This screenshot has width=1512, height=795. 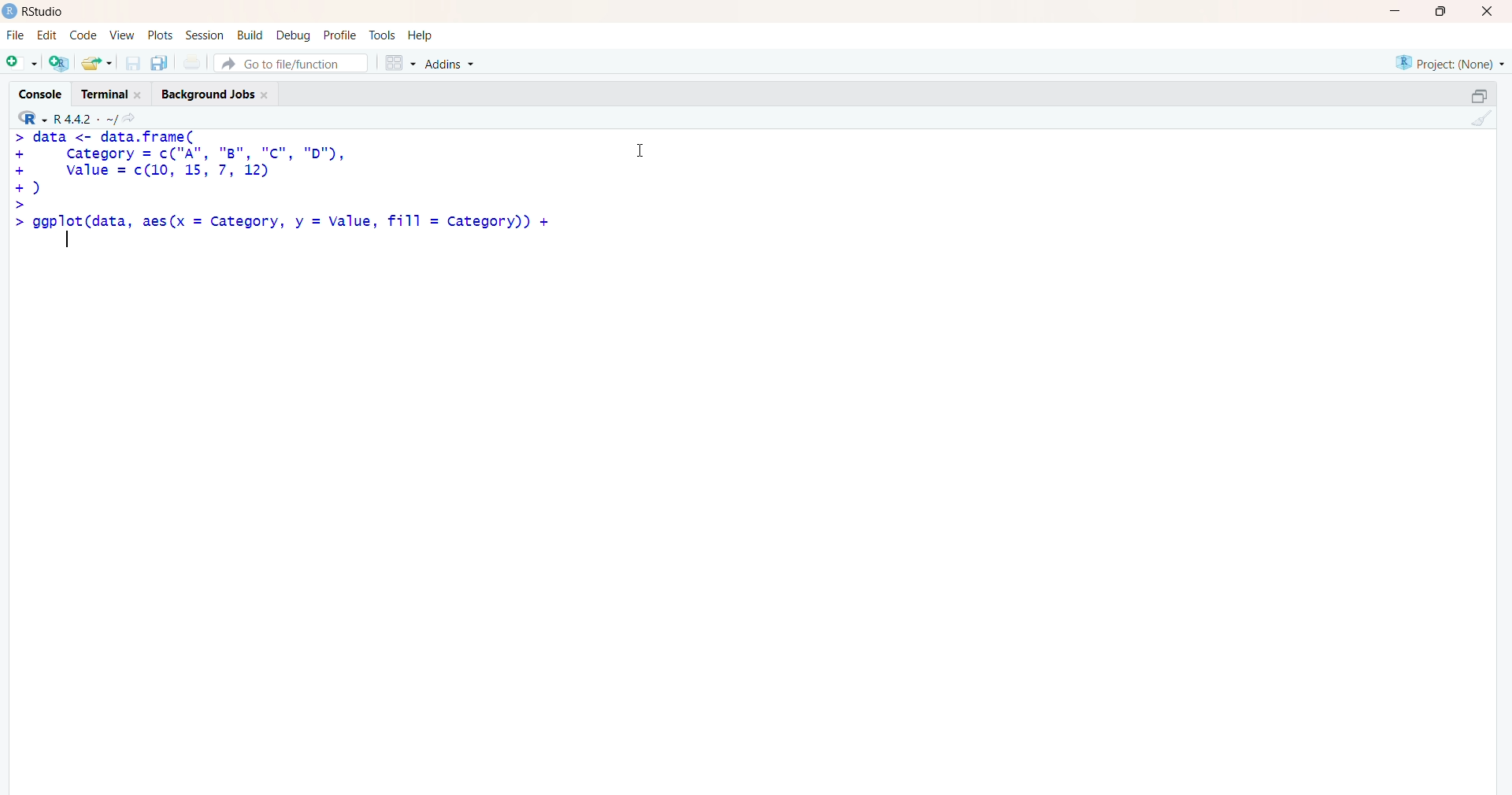 What do you see at coordinates (399, 62) in the screenshot?
I see `grid view` at bounding box center [399, 62].